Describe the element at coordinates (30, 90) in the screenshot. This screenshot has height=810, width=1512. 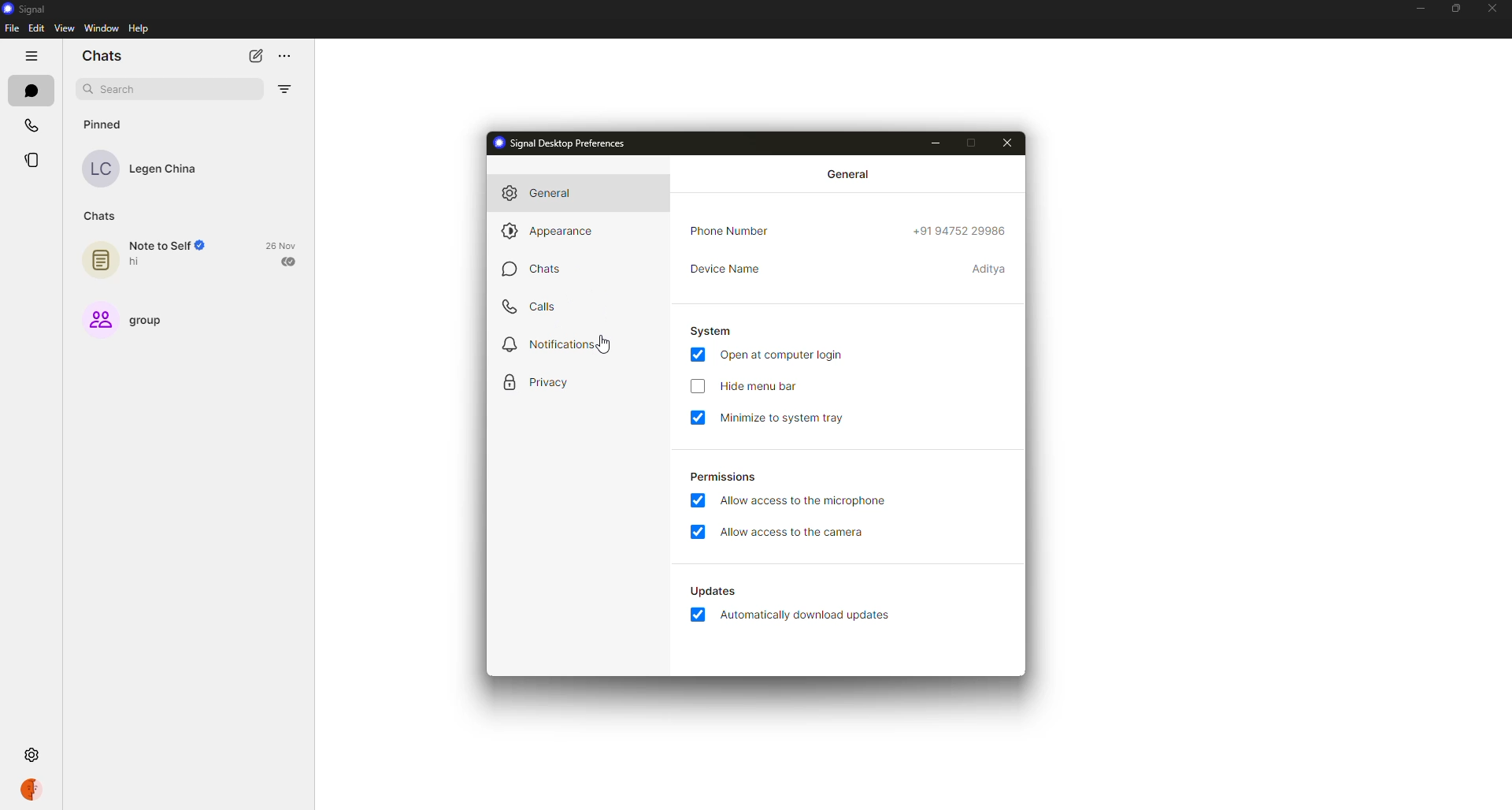
I see `chats` at that location.